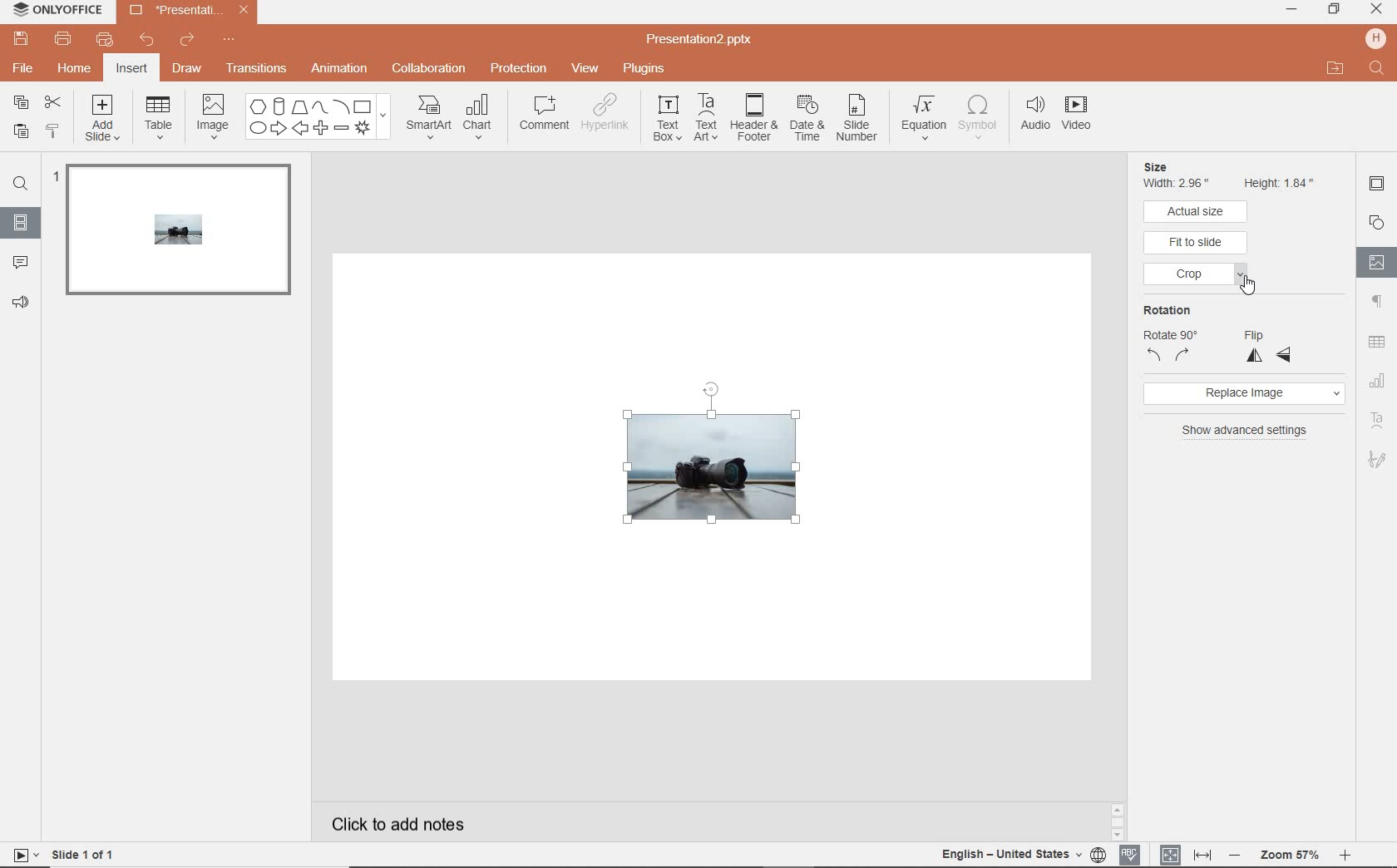  I want to click on actual size, so click(1197, 211).